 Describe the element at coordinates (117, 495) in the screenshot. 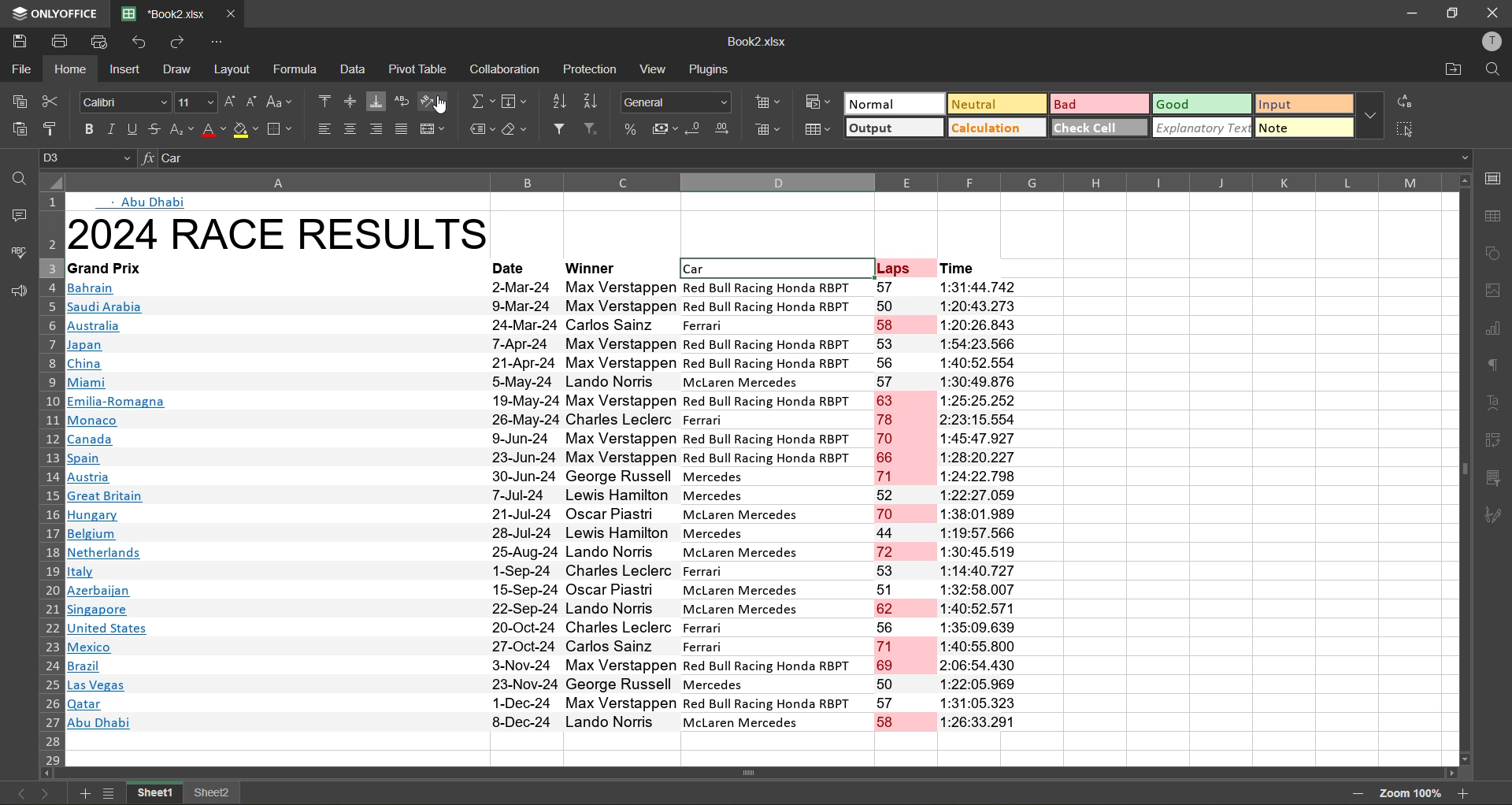

I see `Links` at that location.